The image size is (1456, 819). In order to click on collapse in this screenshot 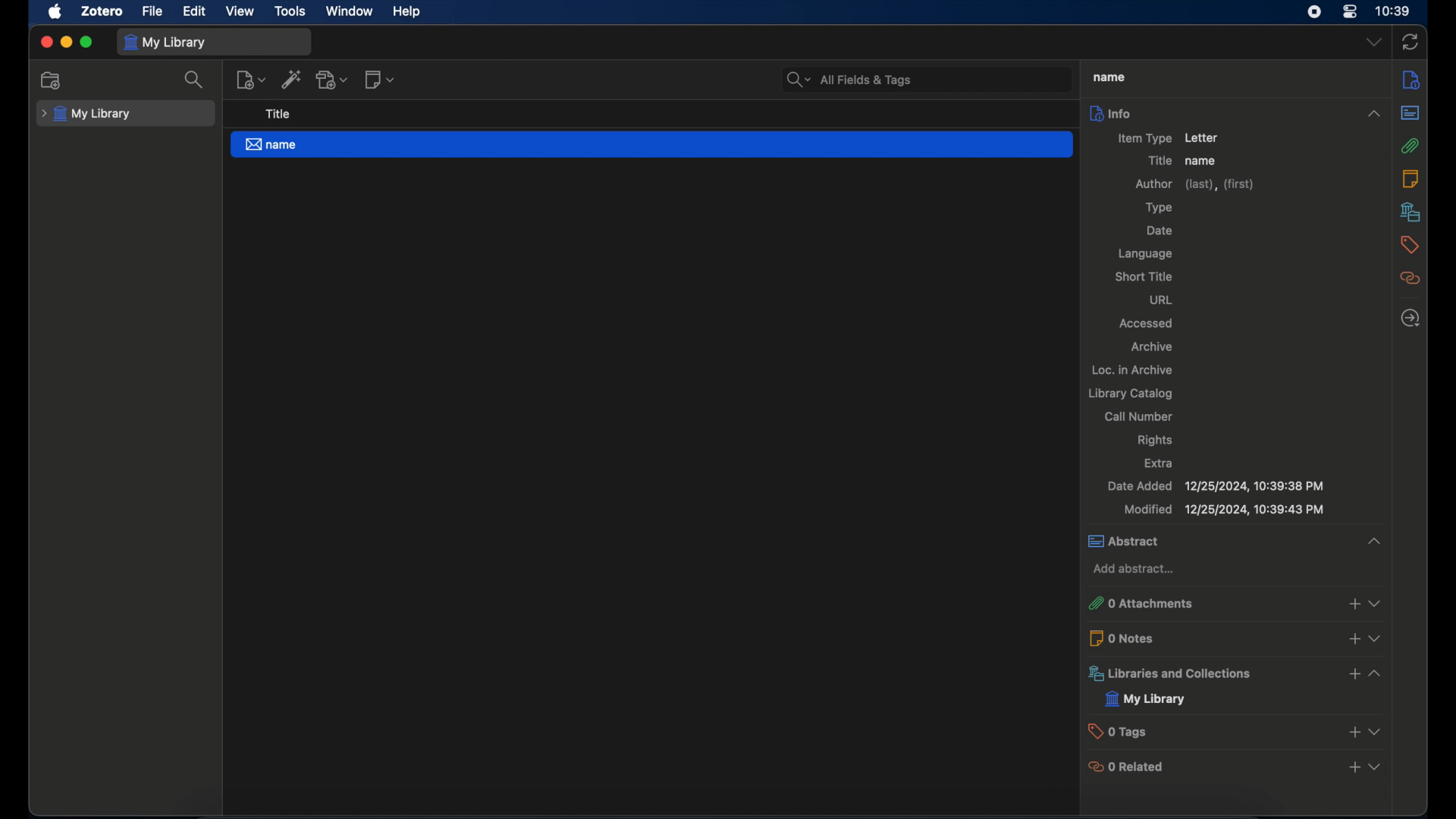, I will do `click(1373, 539)`.